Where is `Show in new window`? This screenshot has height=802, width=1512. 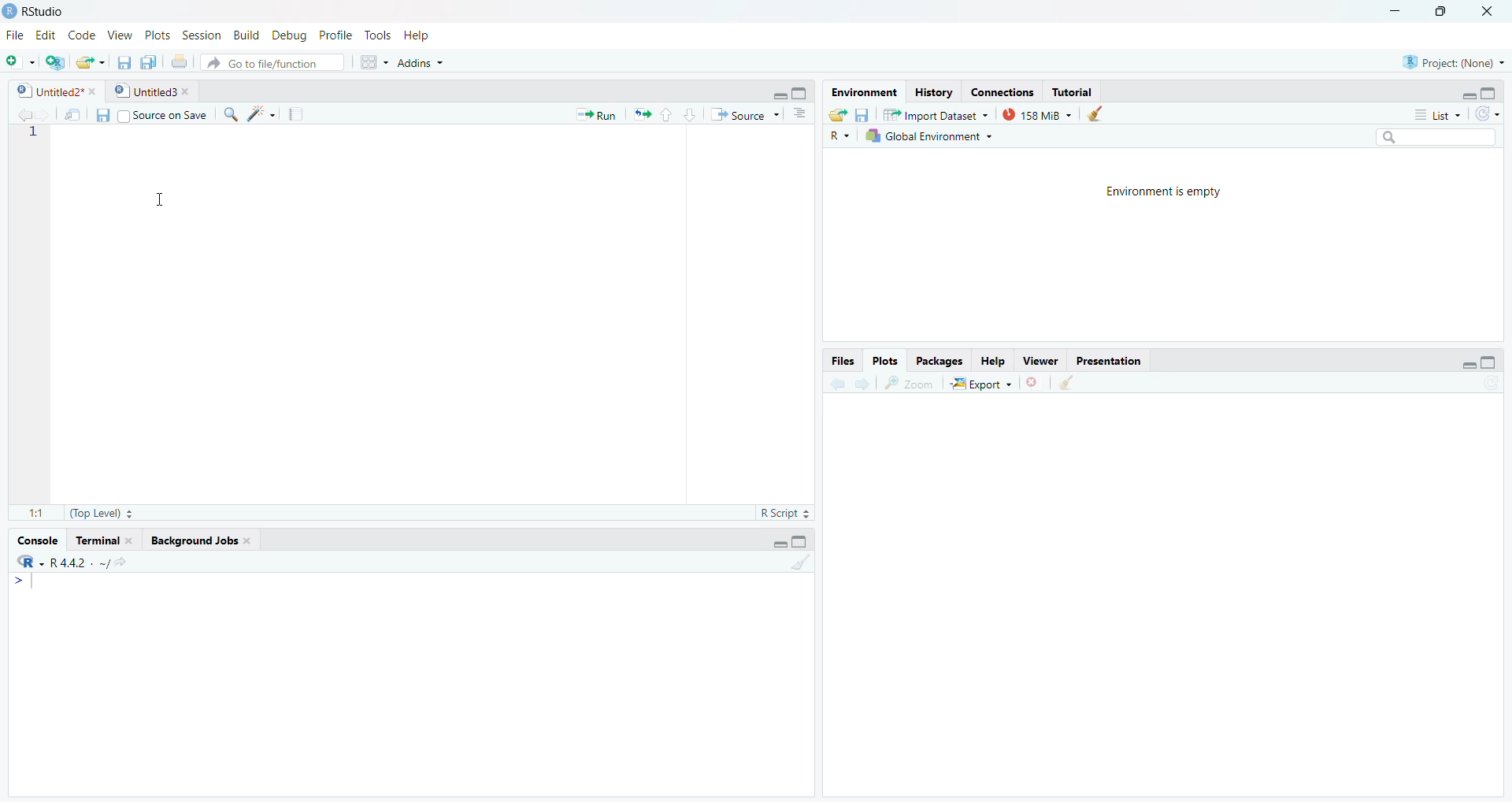 Show in new window is located at coordinates (69, 113).